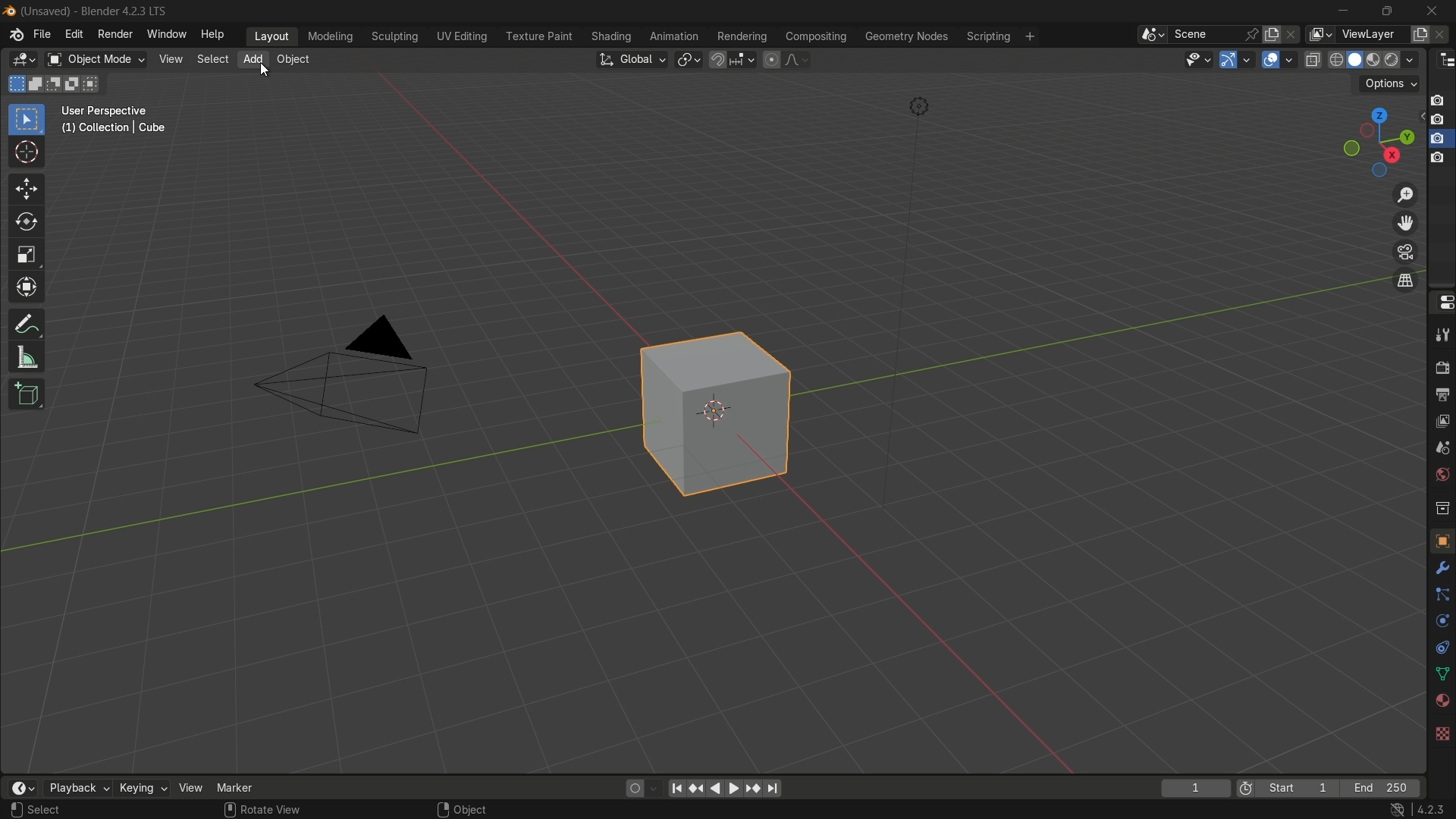 This screenshot has width=1456, height=819. Describe the element at coordinates (461, 36) in the screenshot. I see `uv editing` at that location.